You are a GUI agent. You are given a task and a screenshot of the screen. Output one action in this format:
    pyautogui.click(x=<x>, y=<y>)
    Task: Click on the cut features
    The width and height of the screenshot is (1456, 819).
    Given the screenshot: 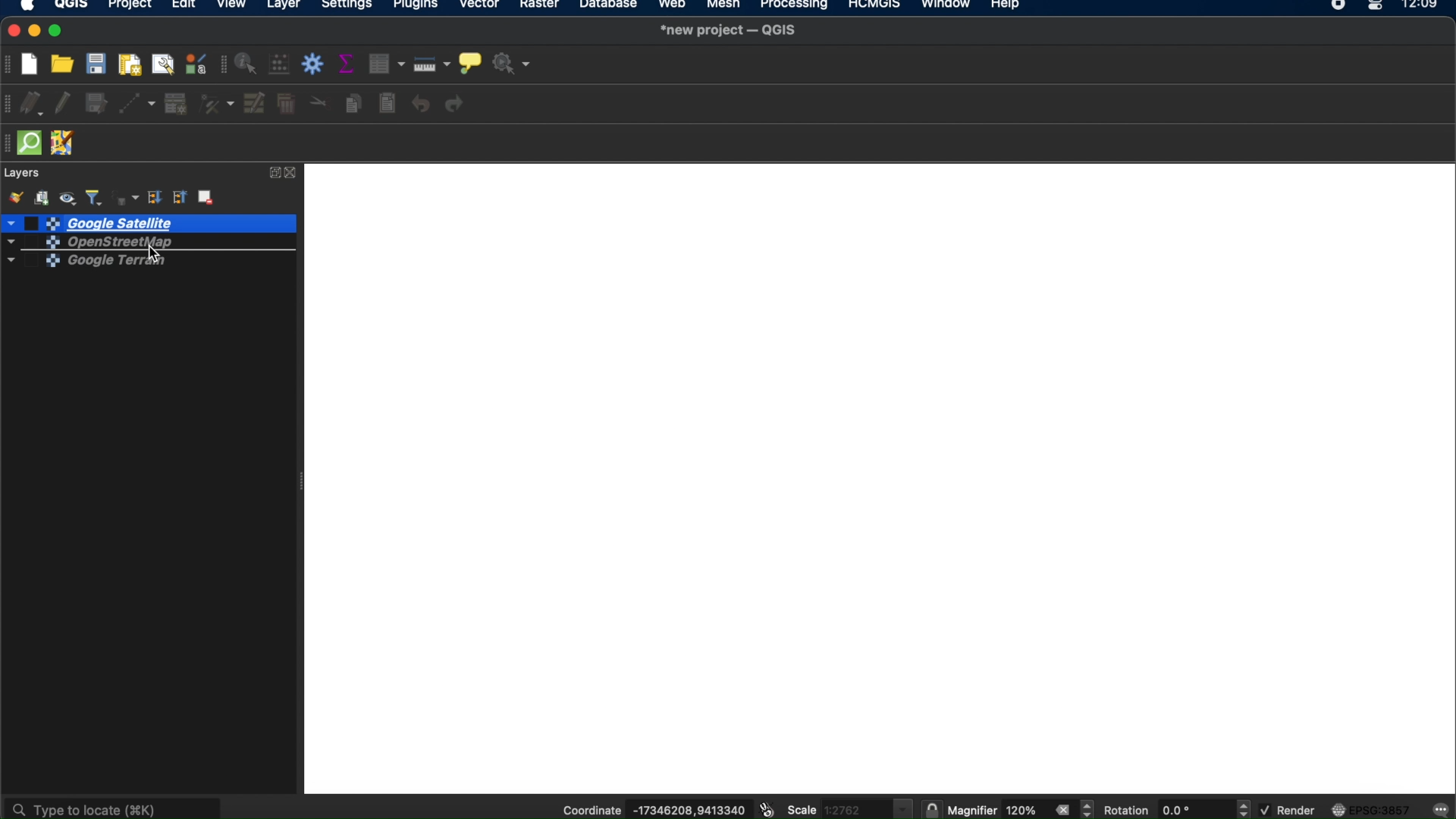 What is the action you would take?
    pyautogui.click(x=318, y=102)
    